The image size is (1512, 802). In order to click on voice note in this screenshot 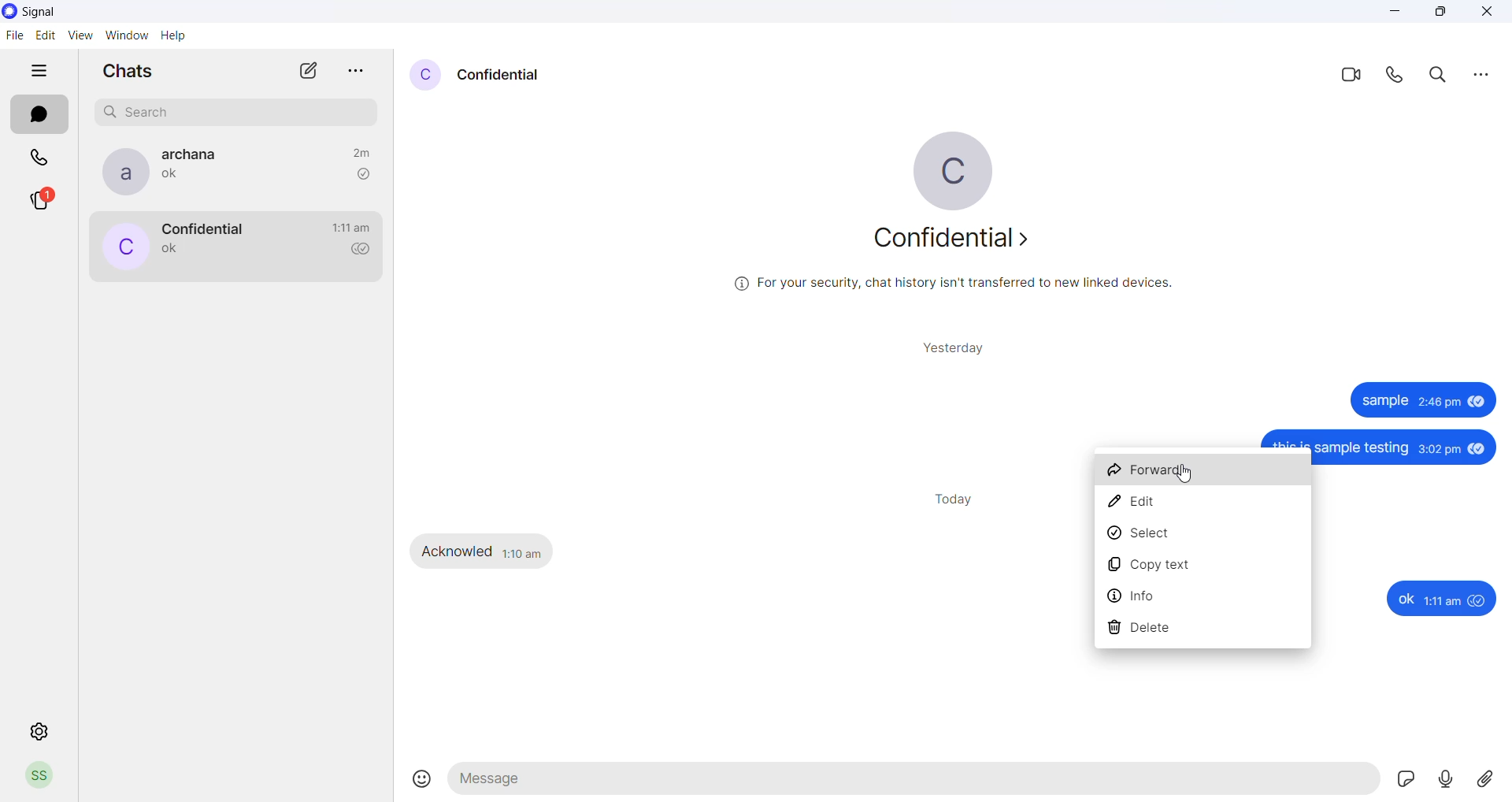, I will do `click(1449, 779)`.